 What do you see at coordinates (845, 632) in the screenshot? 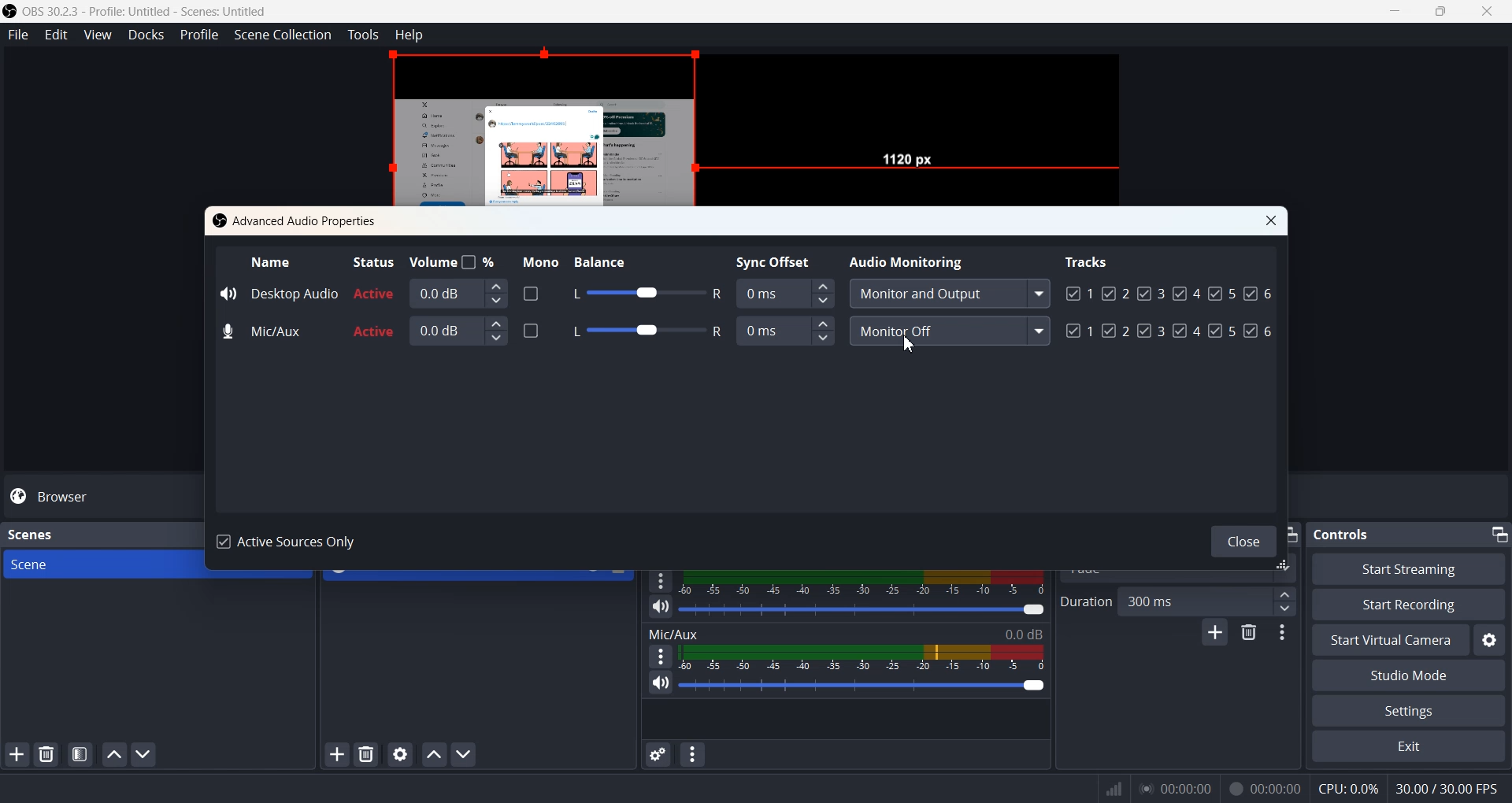
I see `Mic/Aux 0.0 dB` at bounding box center [845, 632].